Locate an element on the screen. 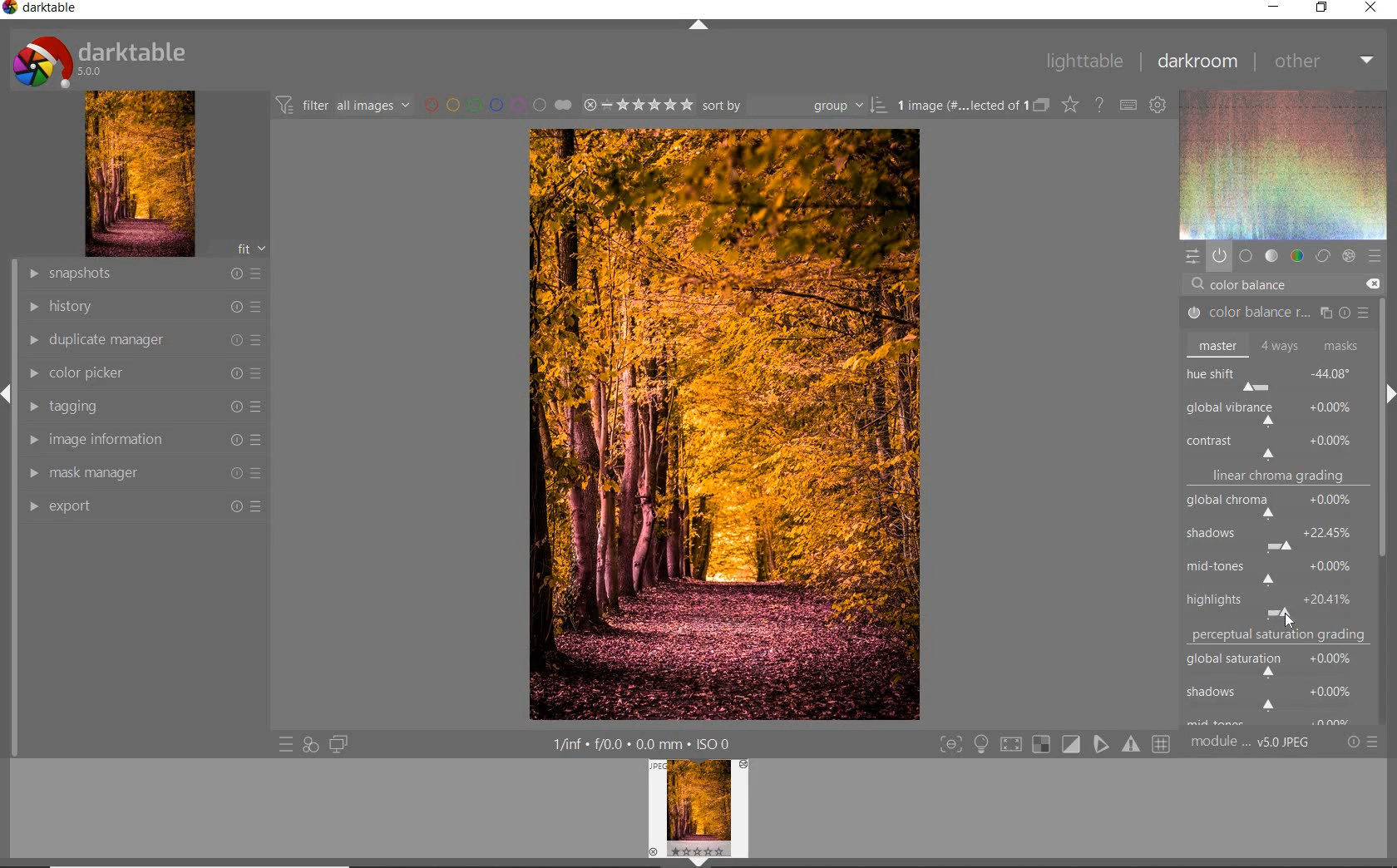 The height and width of the screenshot is (868, 1397). quick access panel is located at coordinates (1190, 256).